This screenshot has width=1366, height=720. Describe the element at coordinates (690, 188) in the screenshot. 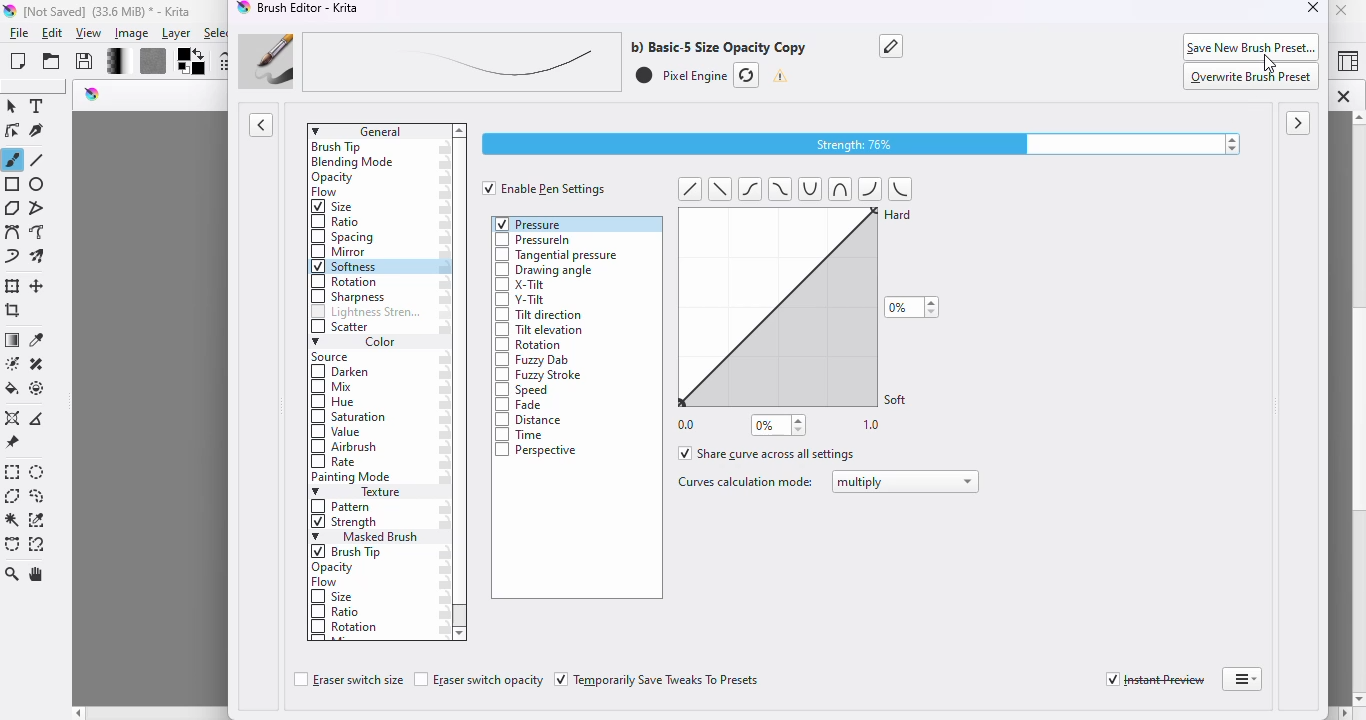

I see `Left diagonal` at that location.